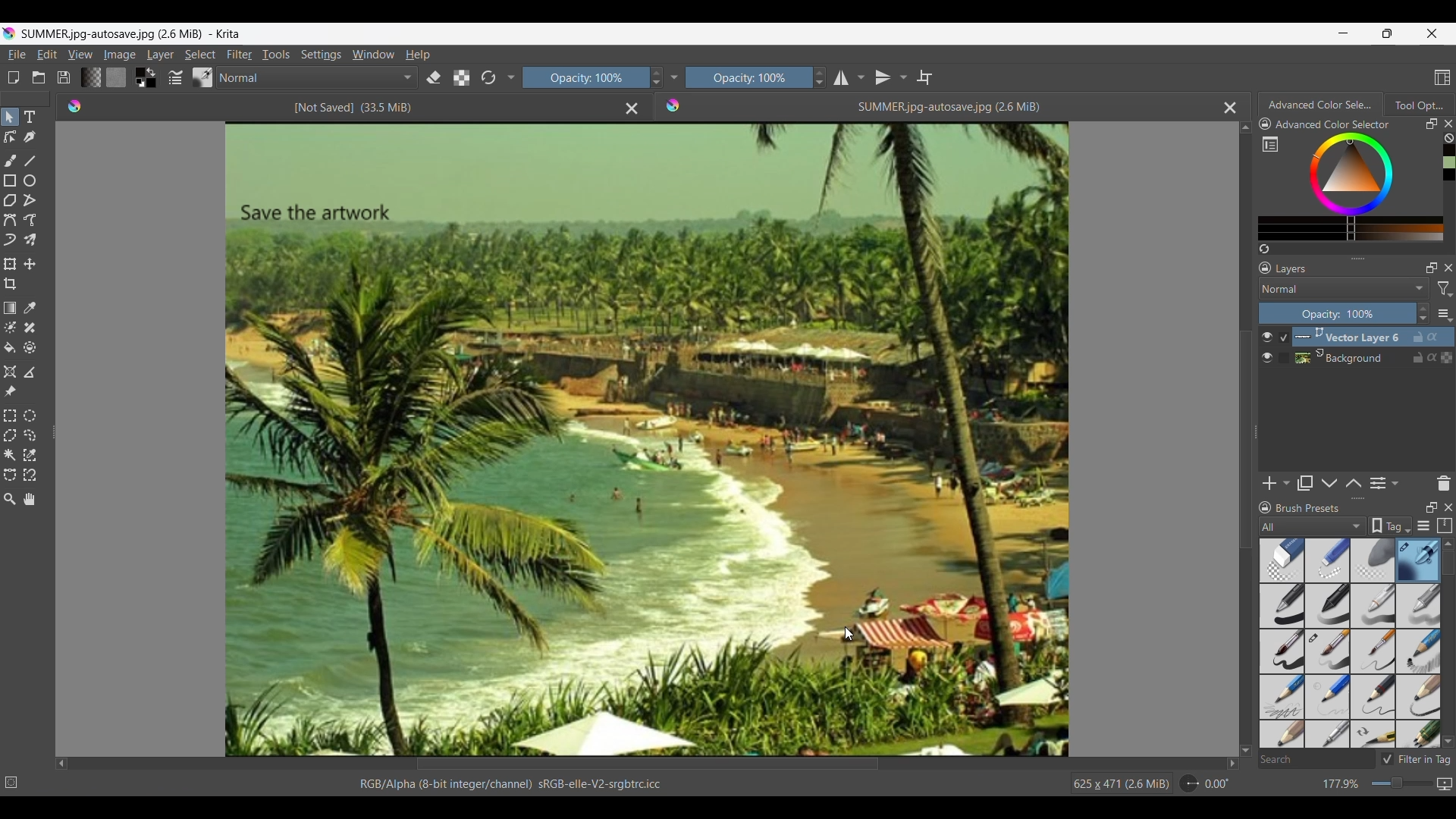 Image resolution: width=1456 pixels, height=819 pixels. Describe the element at coordinates (90, 77) in the screenshot. I see `Fill gradients` at that location.